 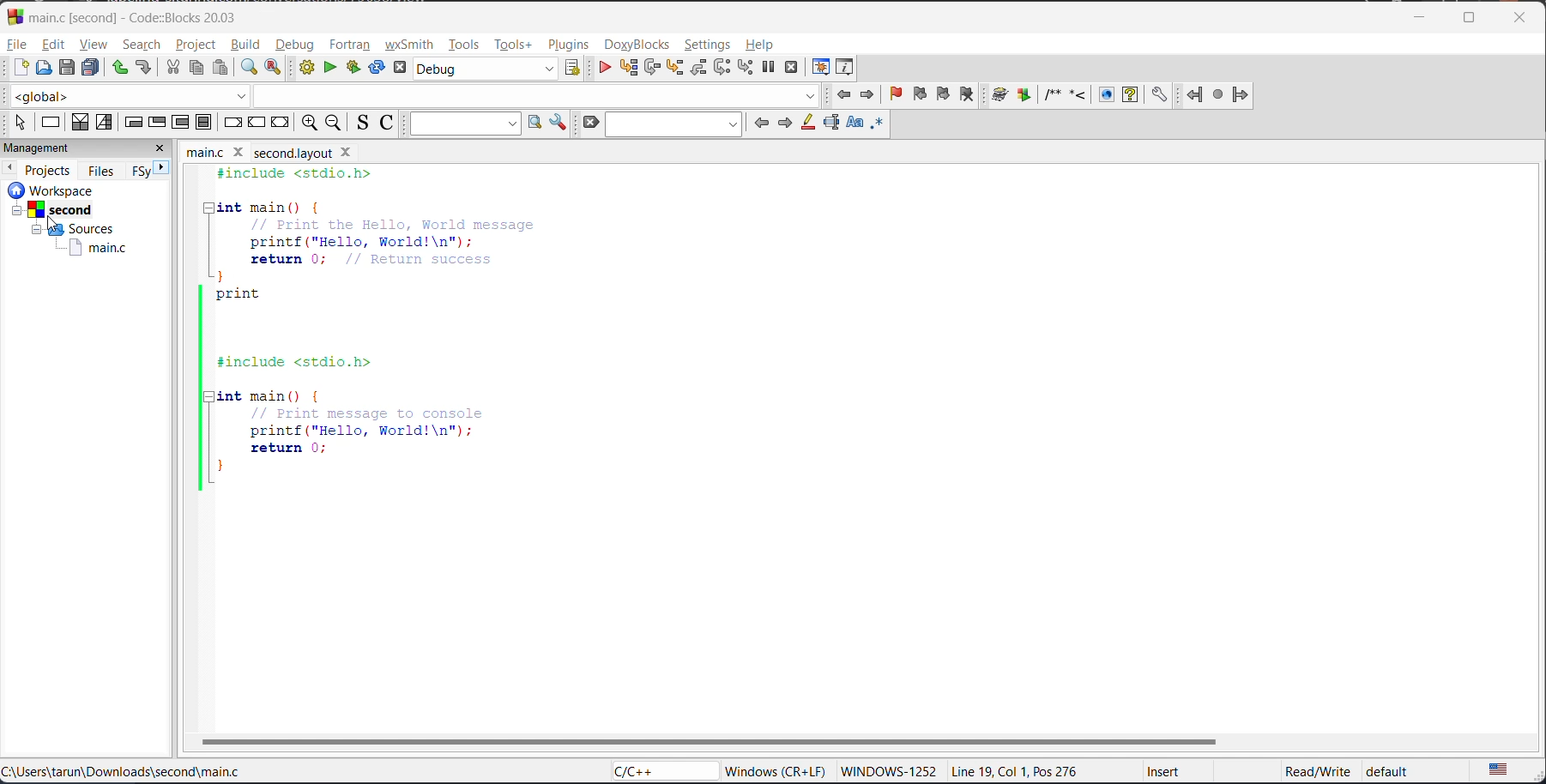 I want to click on build target, so click(x=486, y=71).